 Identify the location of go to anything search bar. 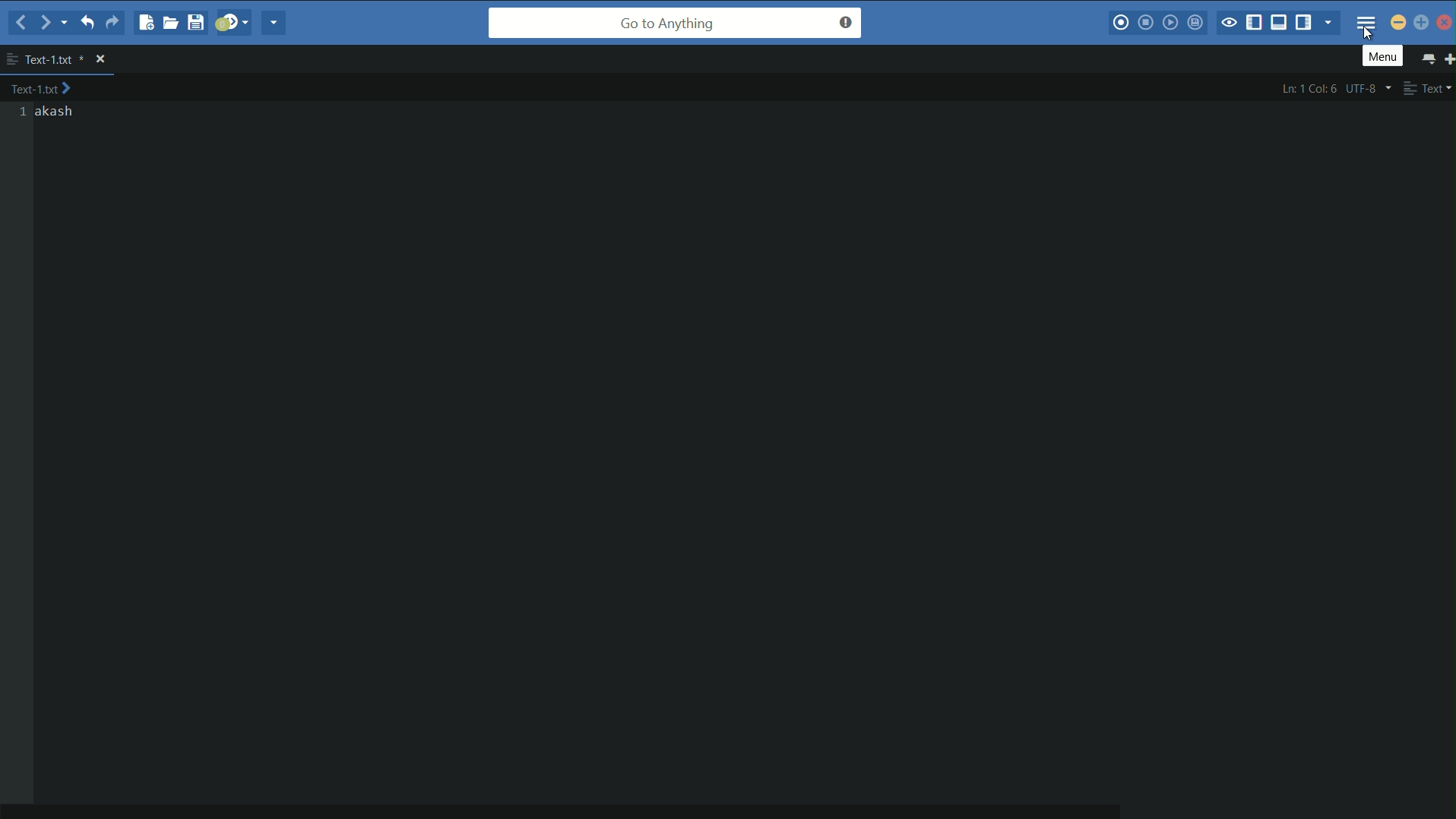
(676, 23).